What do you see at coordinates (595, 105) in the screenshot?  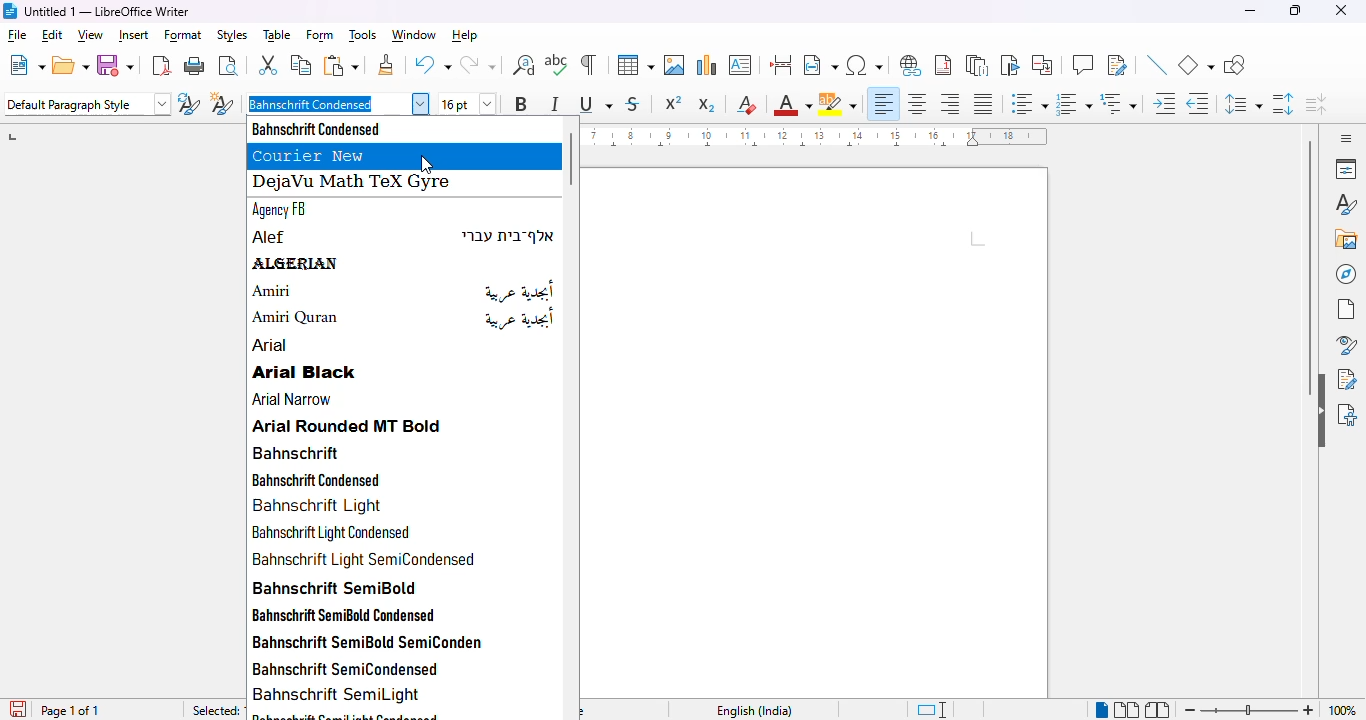 I see `underline` at bounding box center [595, 105].